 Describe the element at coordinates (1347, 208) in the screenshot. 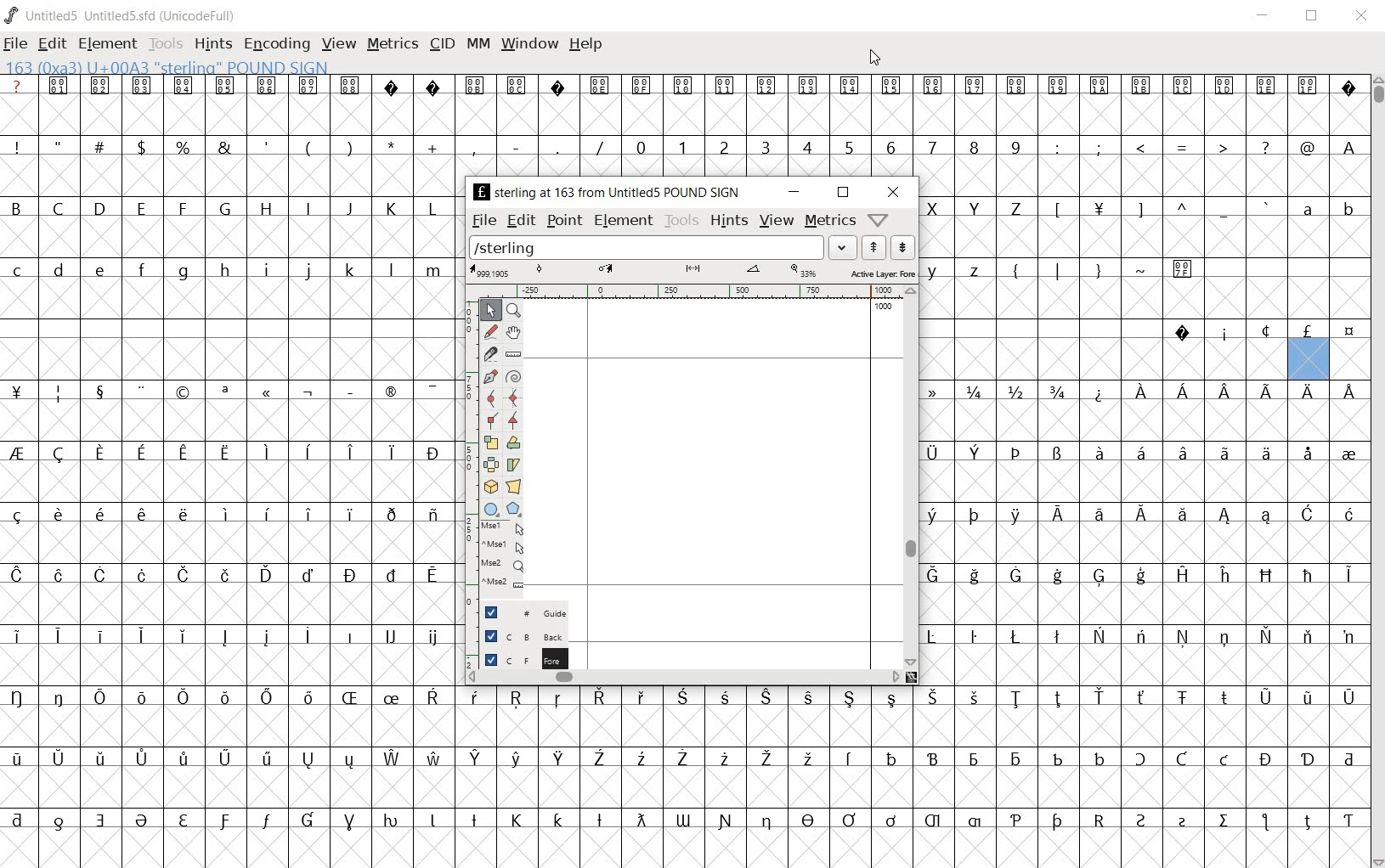

I see `b` at that location.